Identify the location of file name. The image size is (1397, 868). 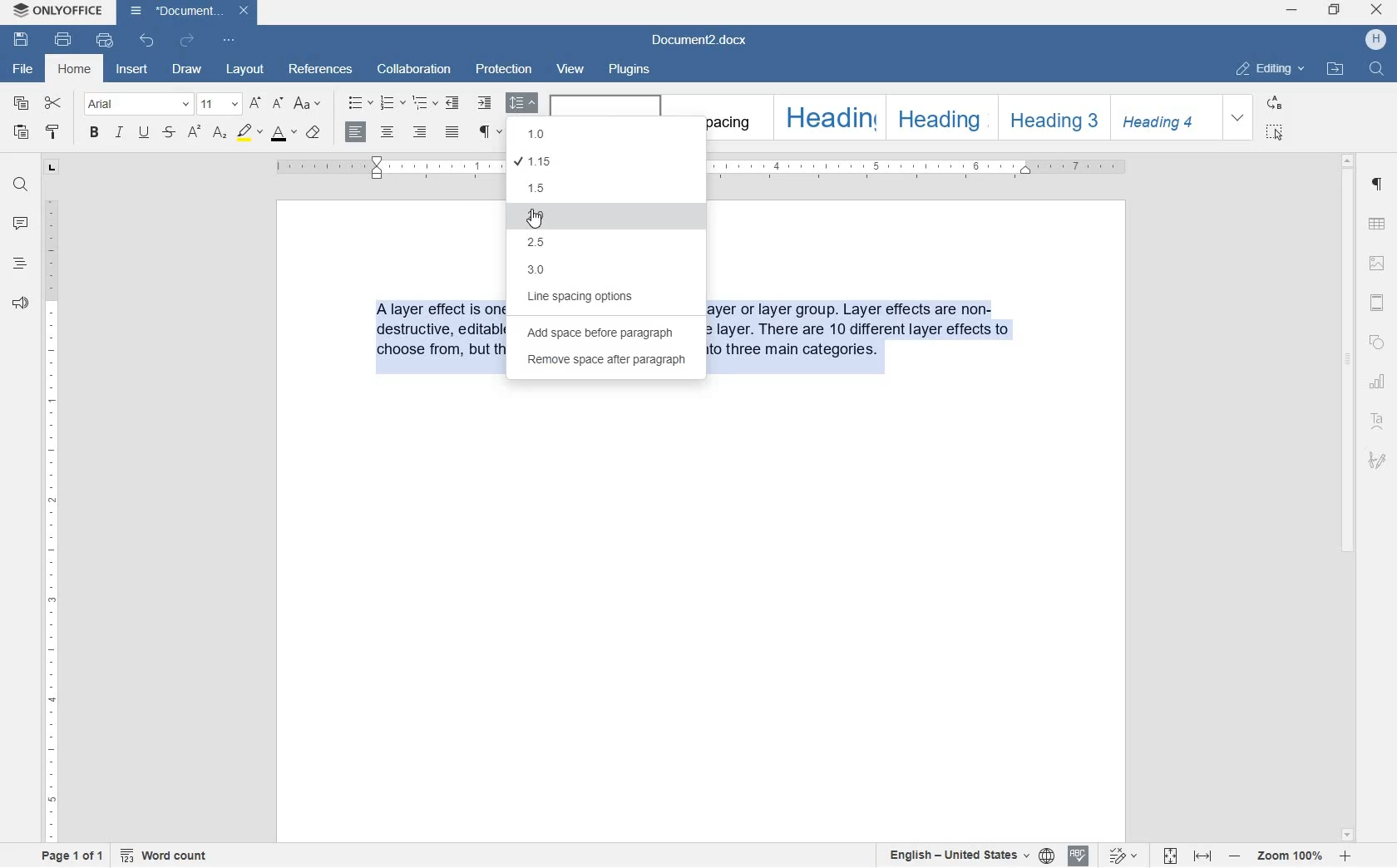
(704, 42).